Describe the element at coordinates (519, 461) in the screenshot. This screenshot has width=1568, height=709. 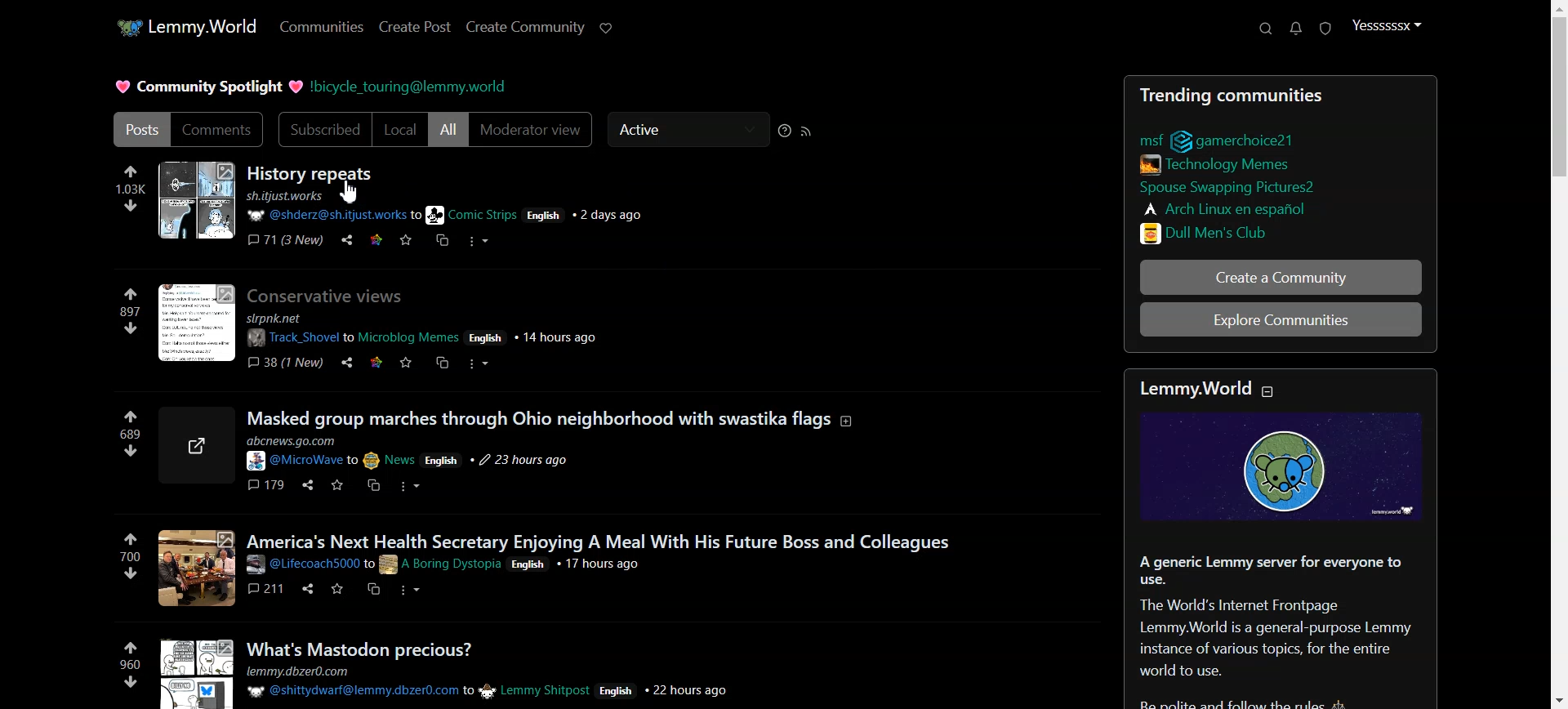
I see `23 hours ago` at that location.